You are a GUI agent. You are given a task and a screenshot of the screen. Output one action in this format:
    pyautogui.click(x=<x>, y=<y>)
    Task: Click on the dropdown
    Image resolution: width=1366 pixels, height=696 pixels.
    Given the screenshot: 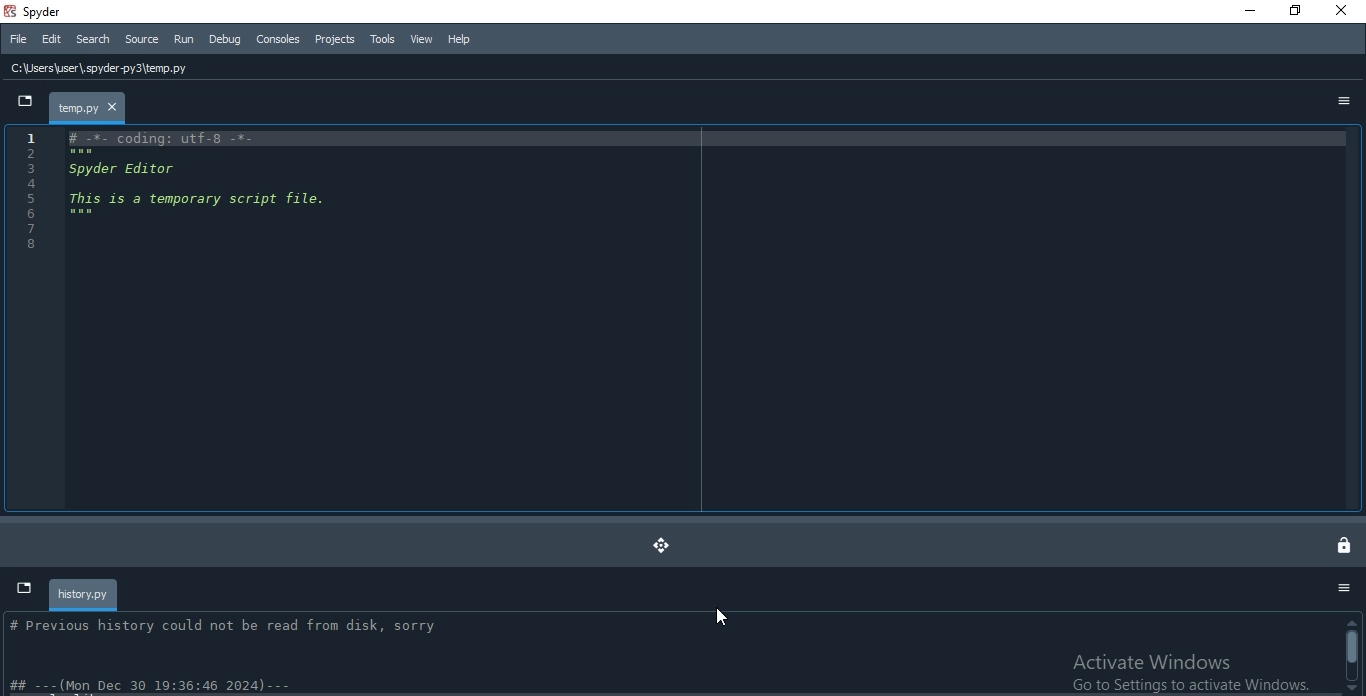 What is the action you would take?
    pyautogui.click(x=19, y=589)
    